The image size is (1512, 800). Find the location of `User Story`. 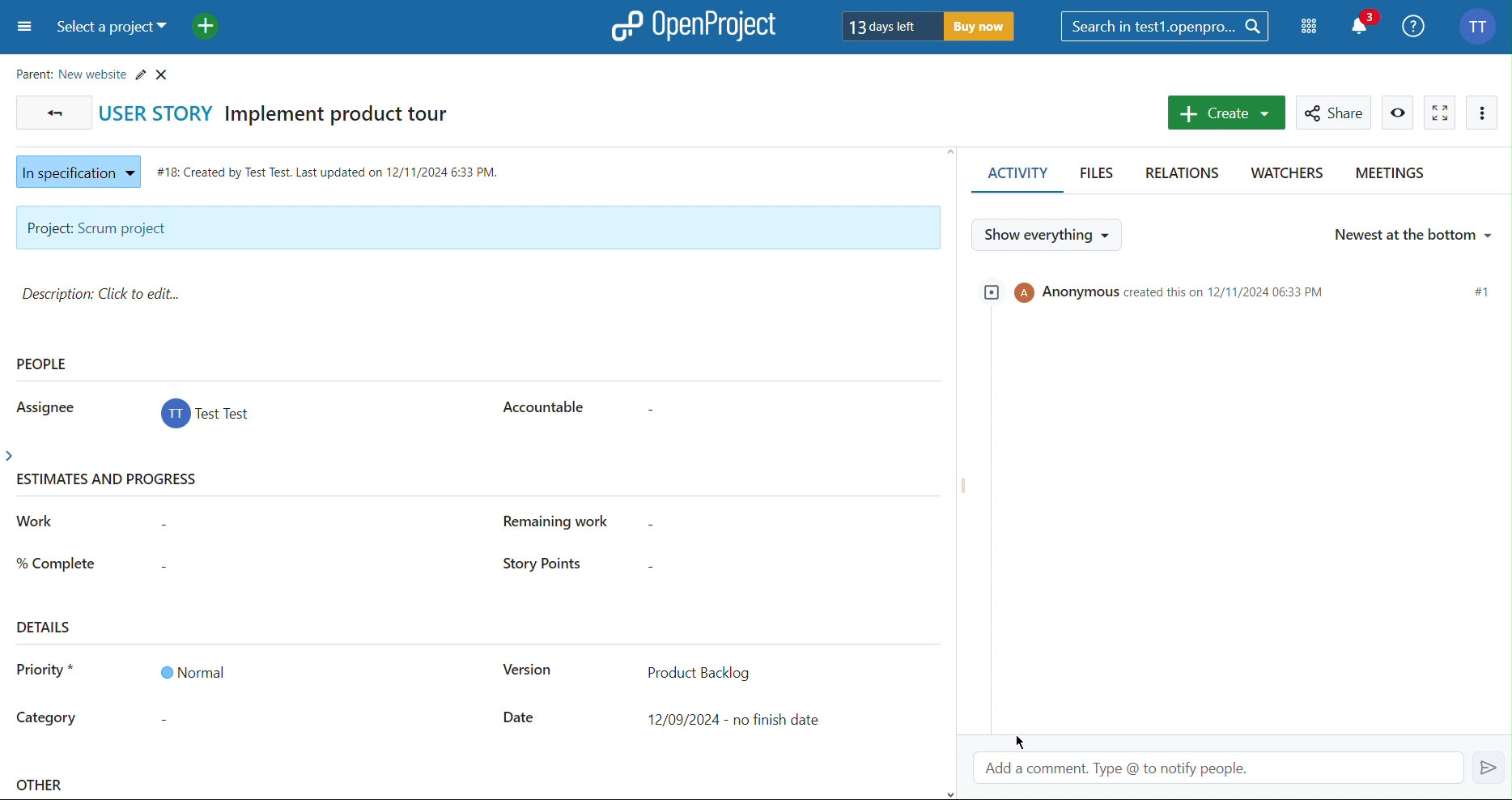

User Story is located at coordinates (284, 112).